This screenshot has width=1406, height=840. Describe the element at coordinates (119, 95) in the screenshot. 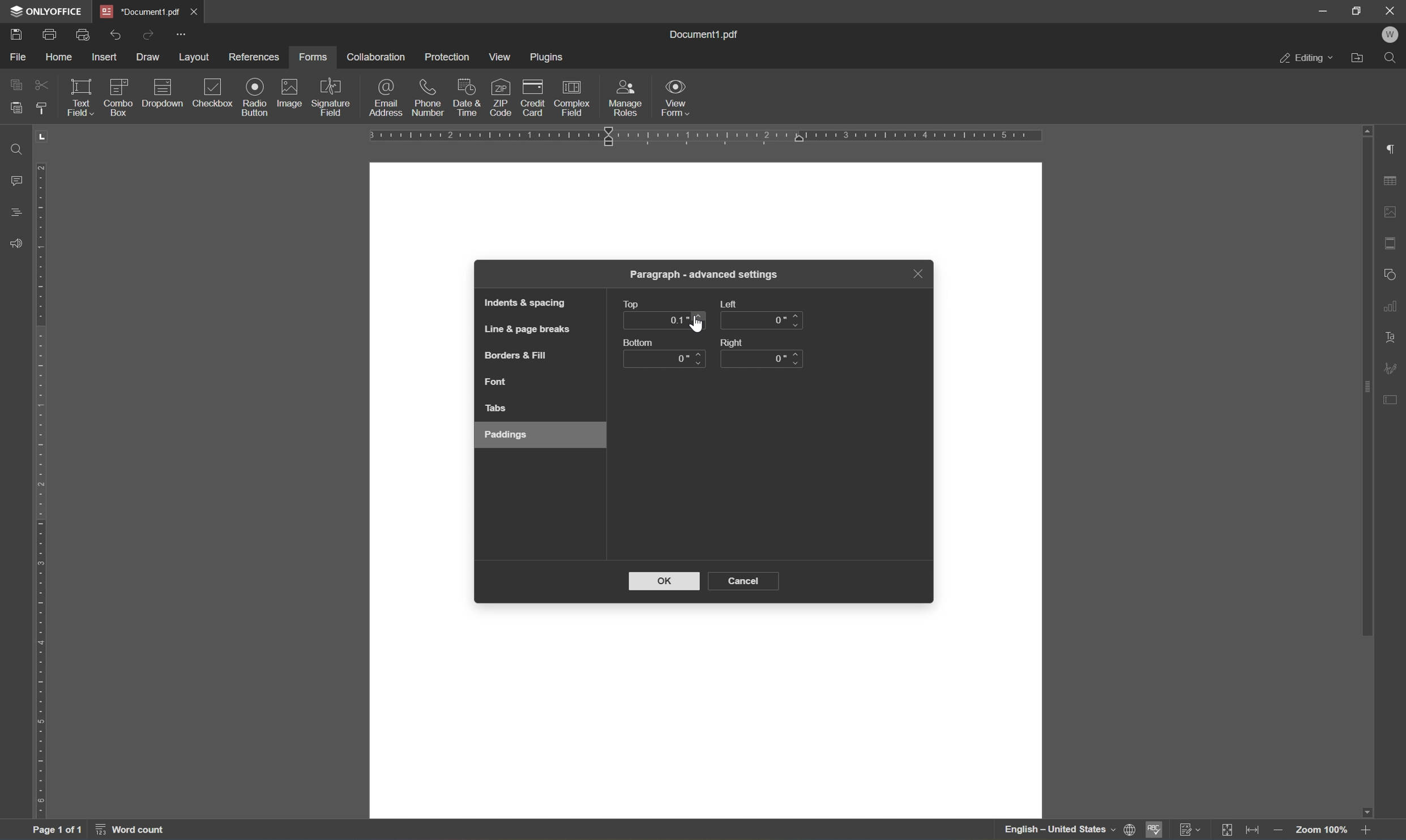

I see `combo box` at that location.